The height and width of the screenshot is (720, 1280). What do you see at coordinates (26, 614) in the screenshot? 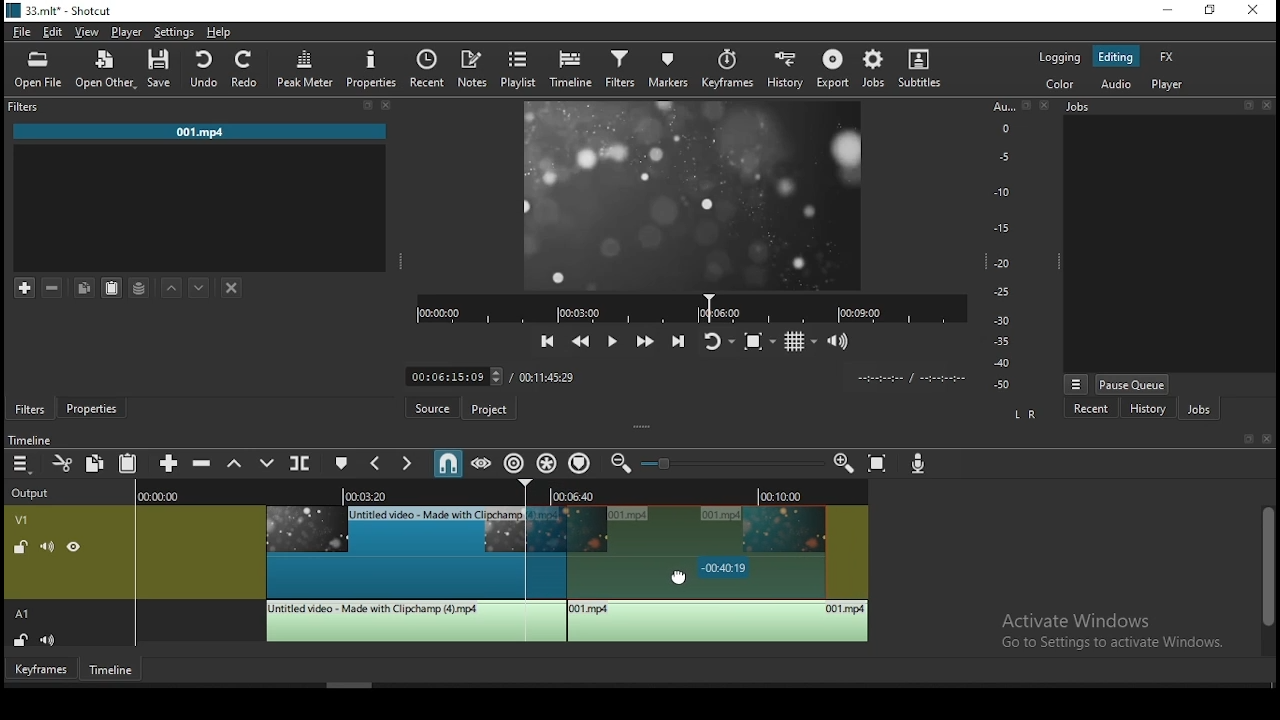
I see `A1` at bounding box center [26, 614].